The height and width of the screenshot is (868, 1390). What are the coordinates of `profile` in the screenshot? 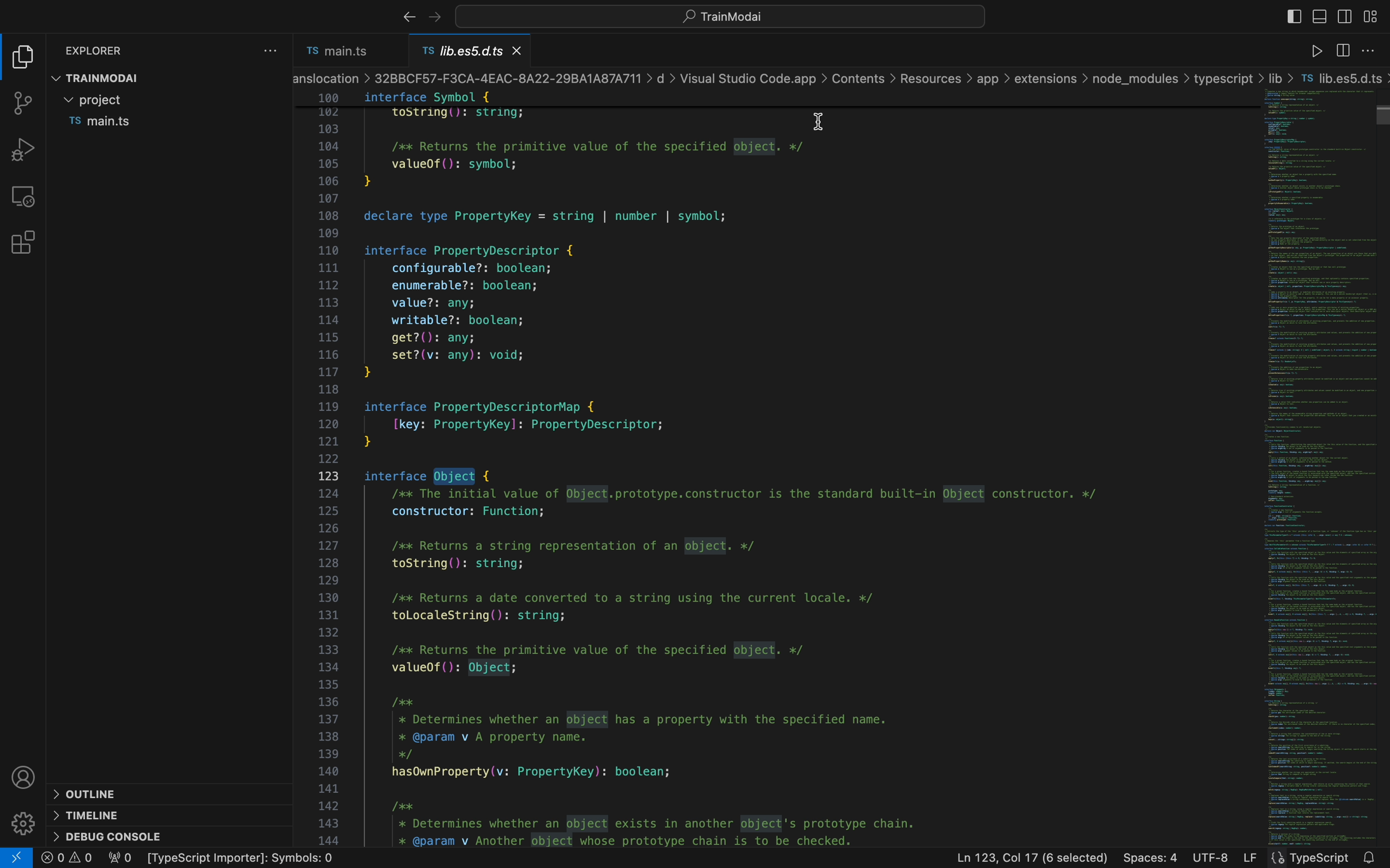 It's located at (26, 776).